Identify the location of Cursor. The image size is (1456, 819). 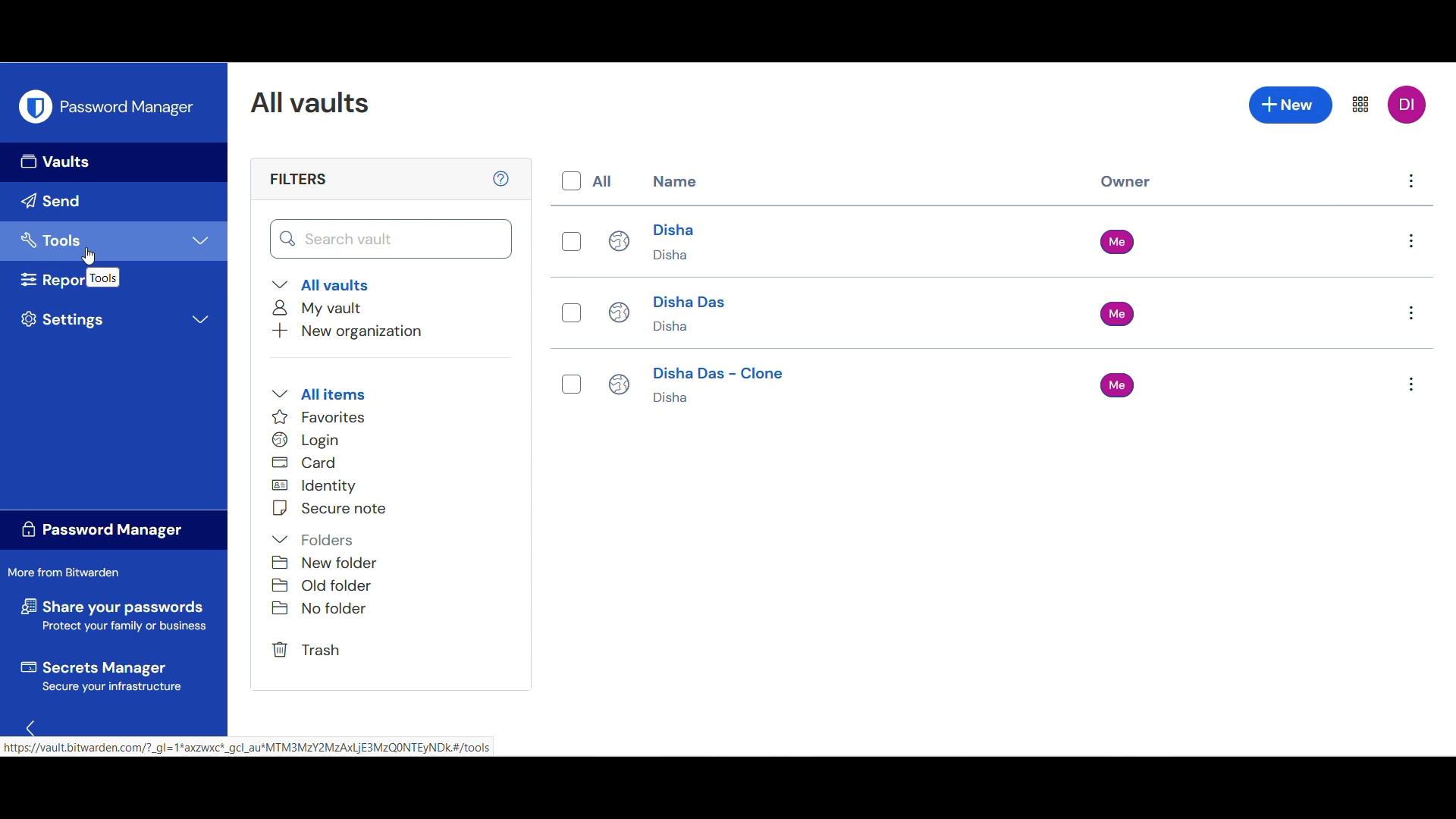
(89, 256).